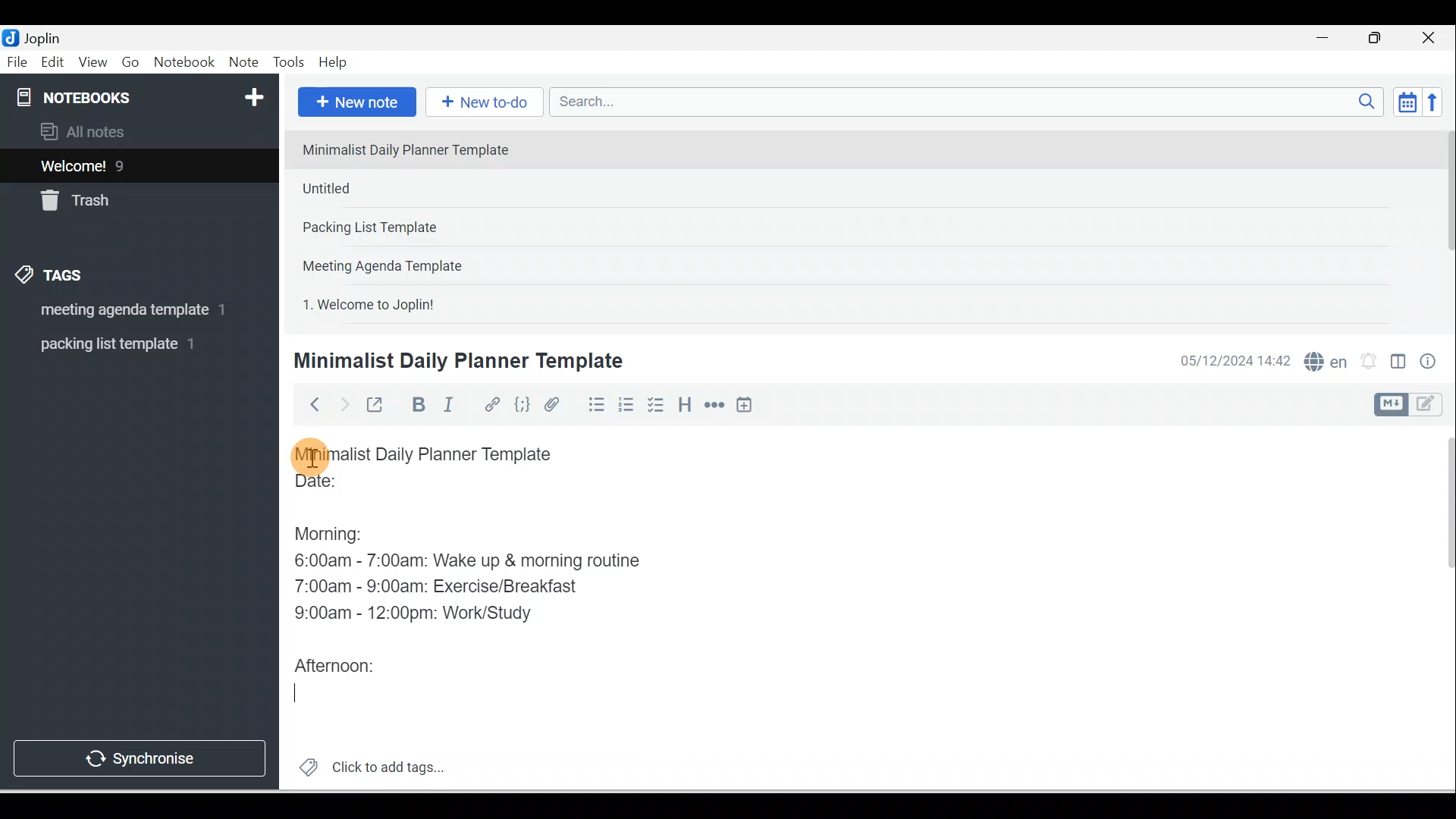  I want to click on Italic, so click(451, 407).